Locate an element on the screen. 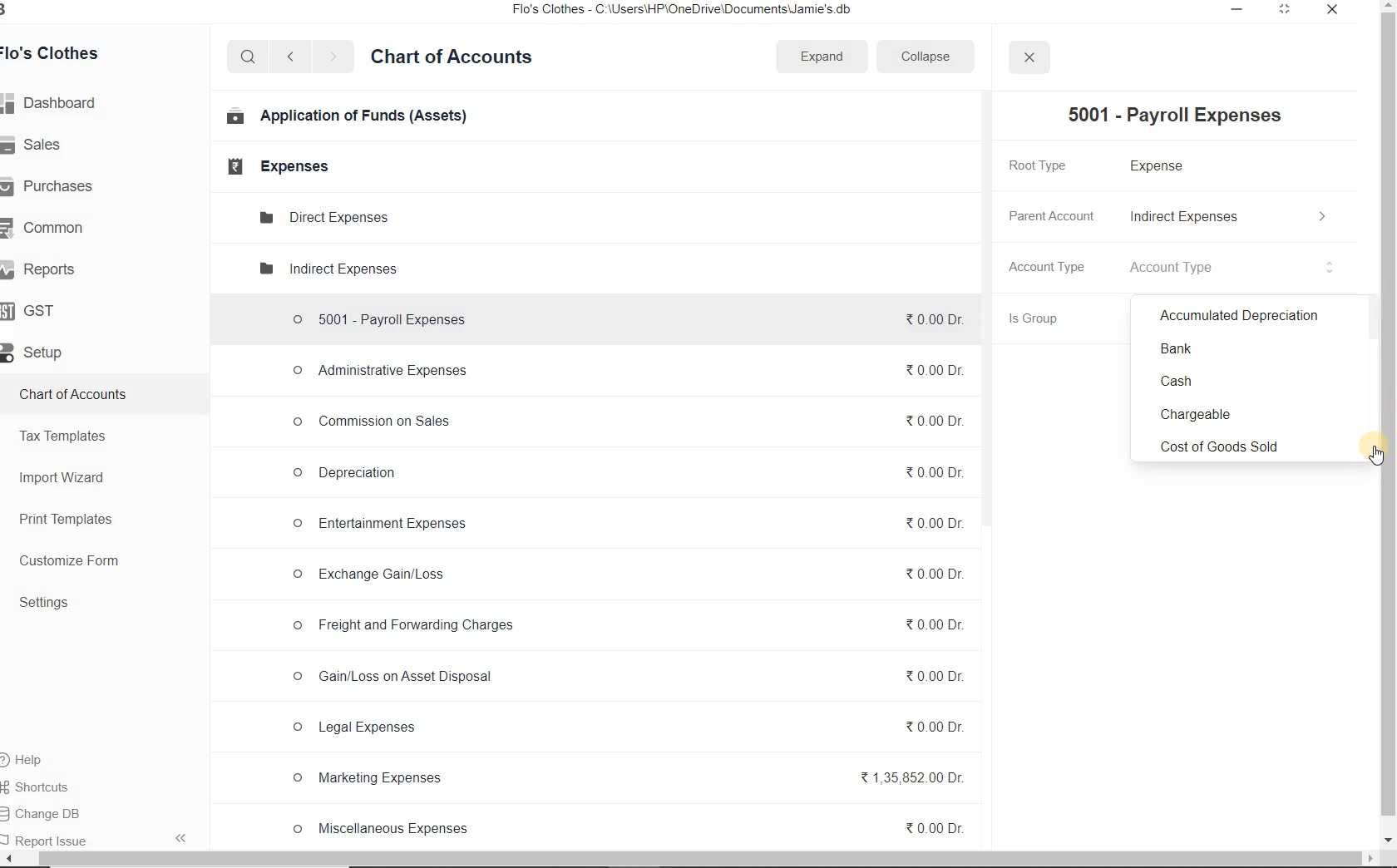 The width and height of the screenshot is (1397, 868). © Marketing Expenses %1,35,852.00 Dr. is located at coordinates (629, 779).